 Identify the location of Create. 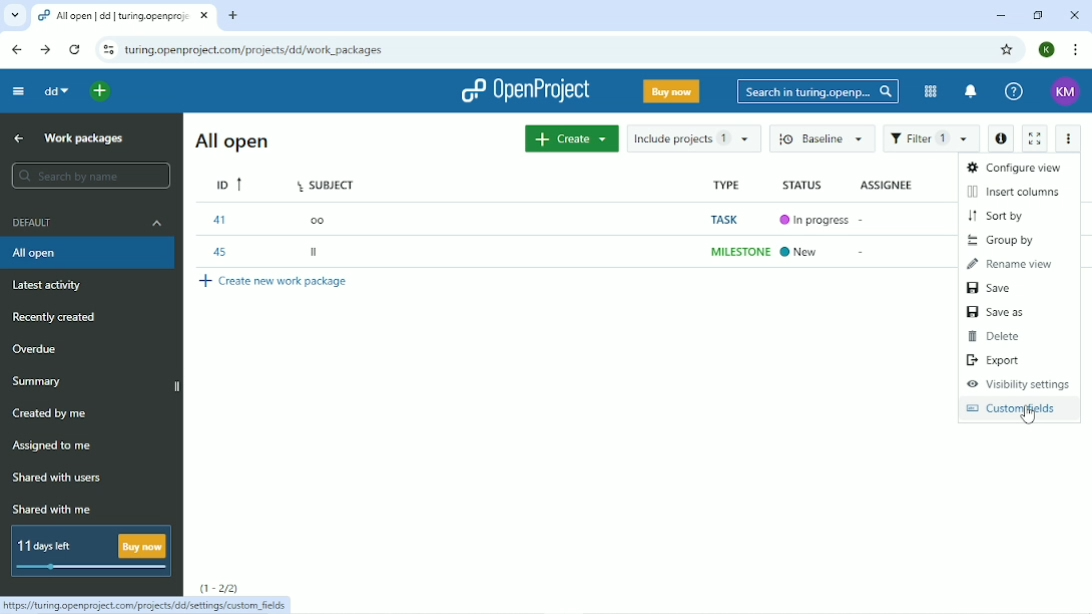
(570, 139).